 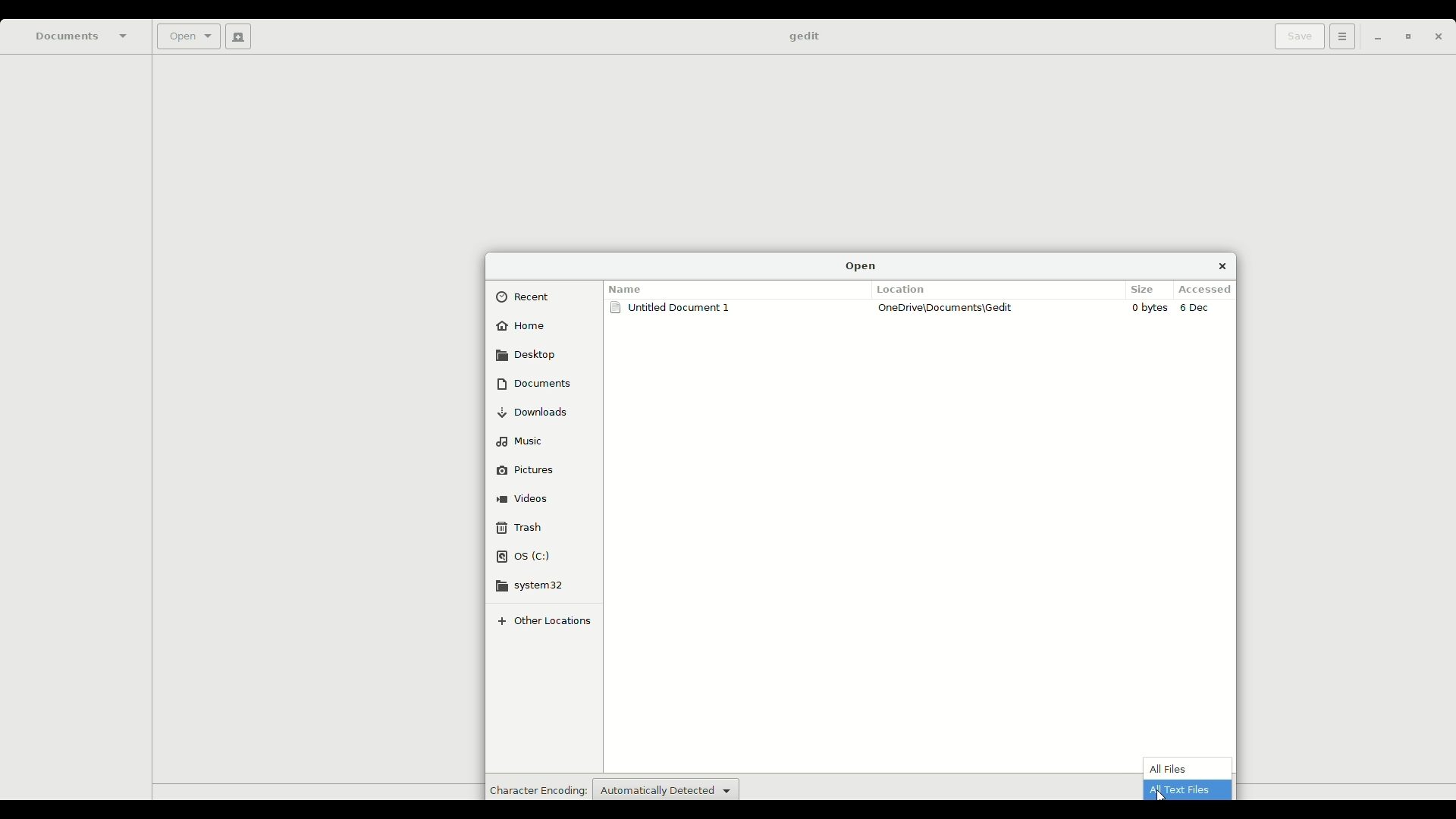 What do you see at coordinates (523, 328) in the screenshot?
I see `Home` at bounding box center [523, 328].